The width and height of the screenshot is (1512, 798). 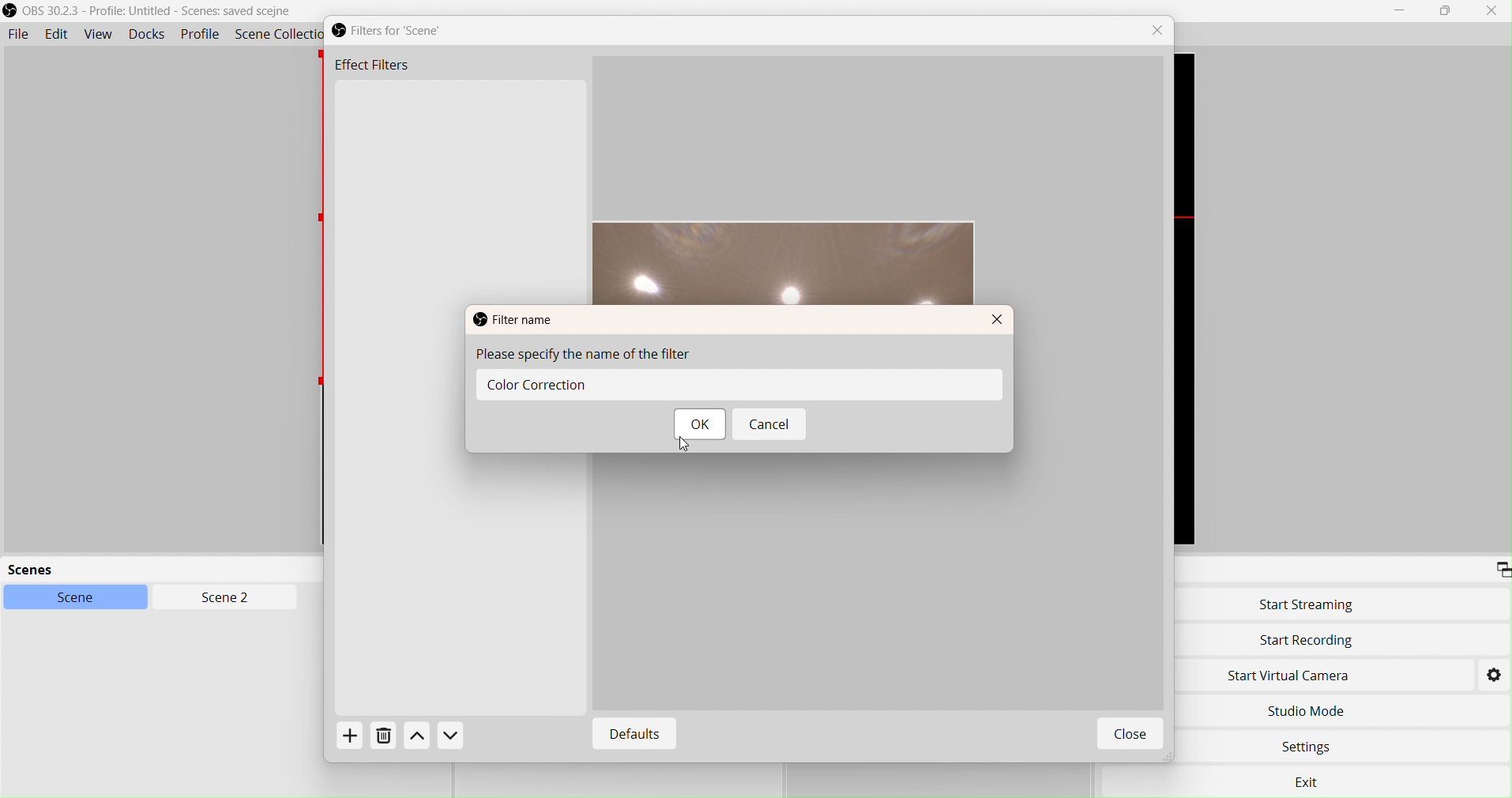 I want to click on File Name, so click(x=513, y=318).